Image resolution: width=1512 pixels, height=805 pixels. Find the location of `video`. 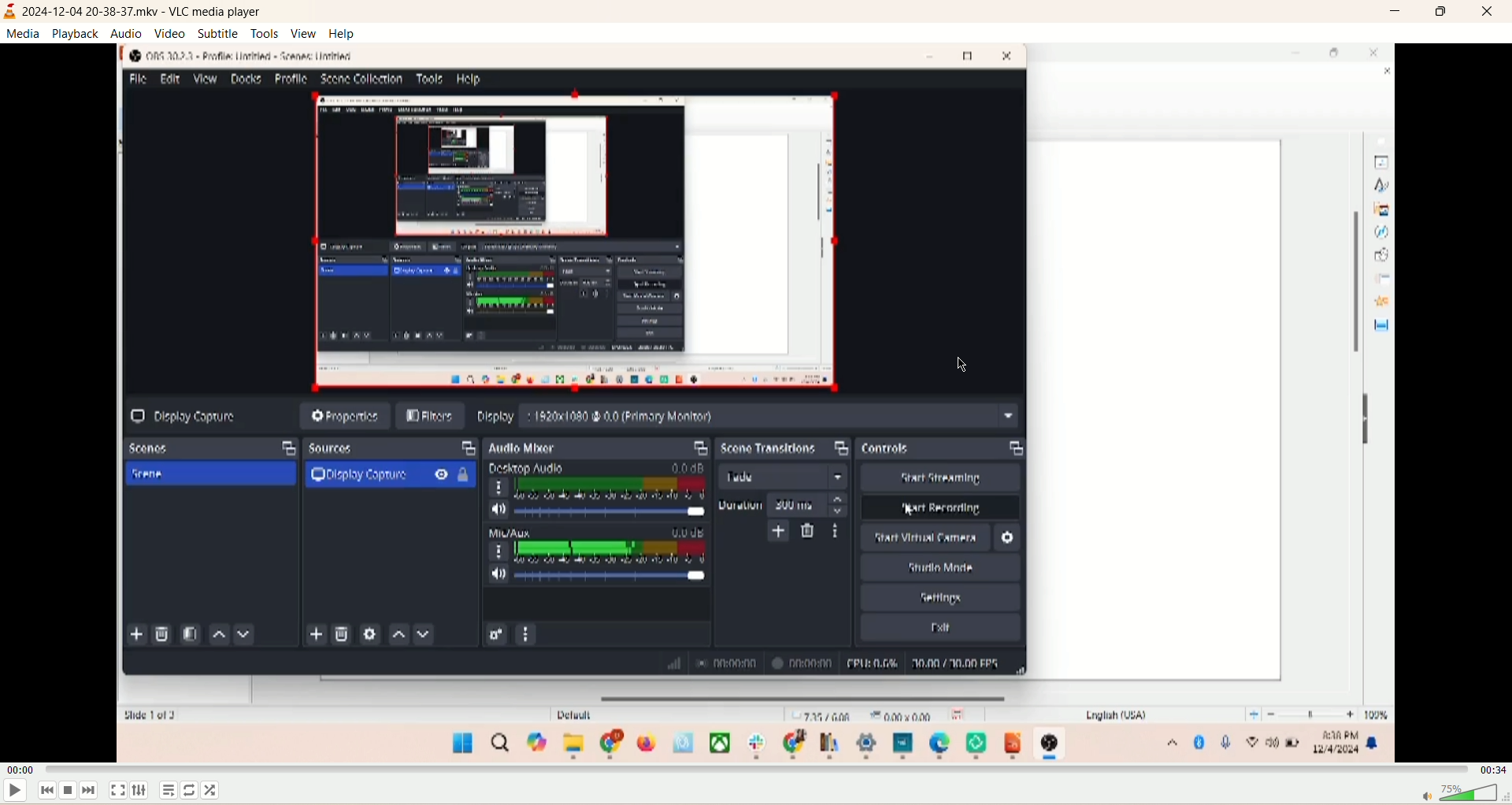

video is located at coordinates (168, 34).